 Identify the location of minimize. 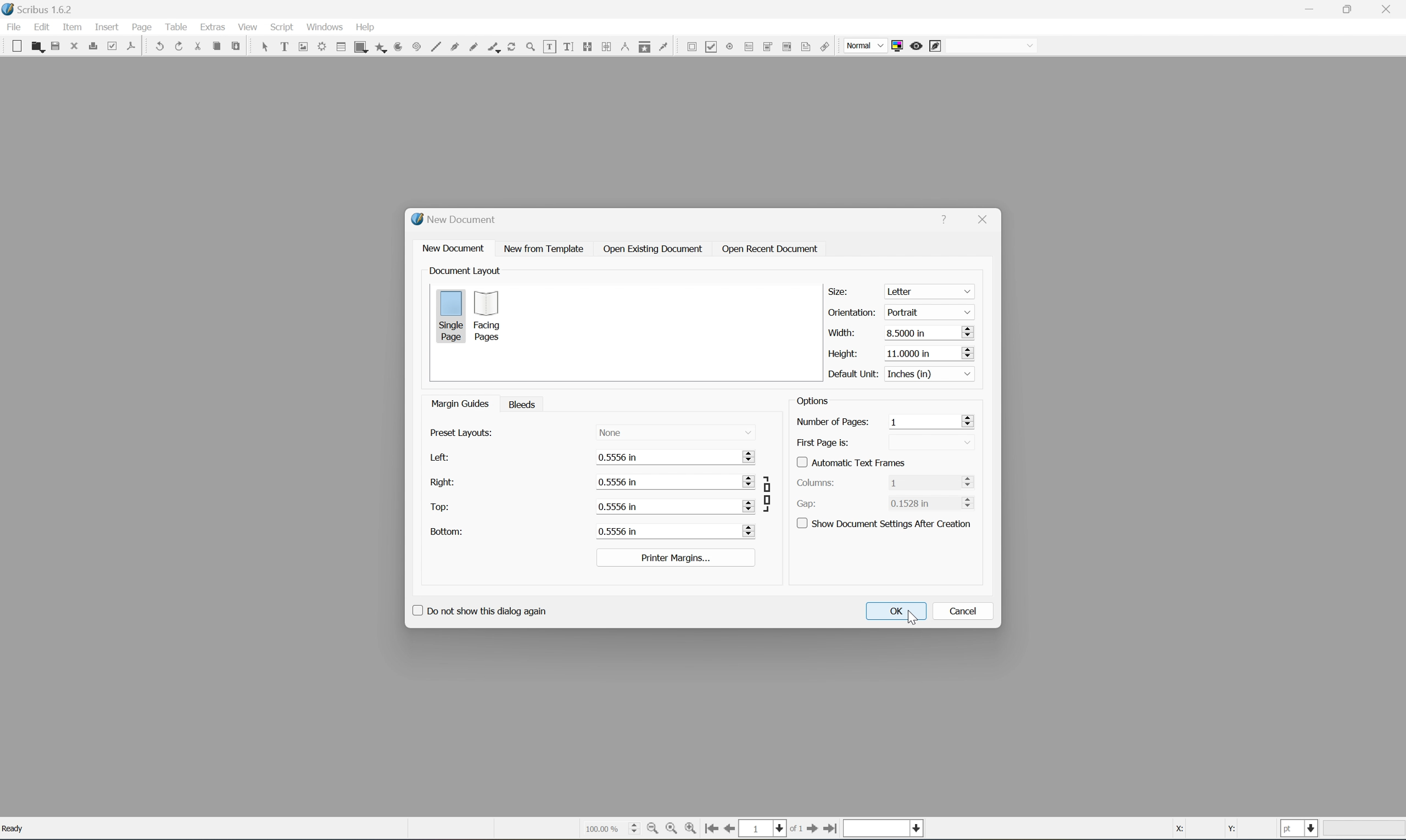
(1314, 7).